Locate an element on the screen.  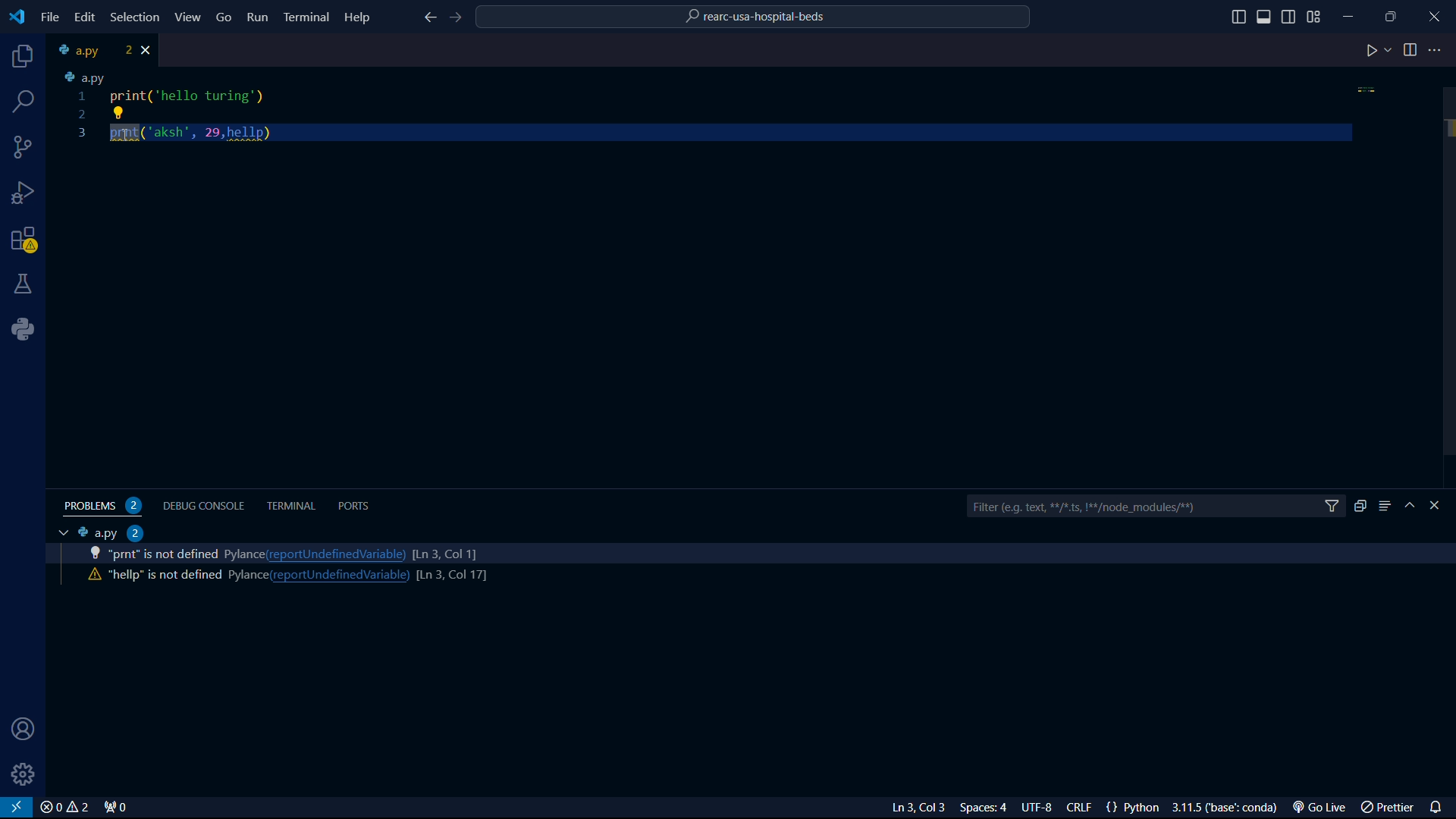
toggle is located at coordinates (1410, 50).